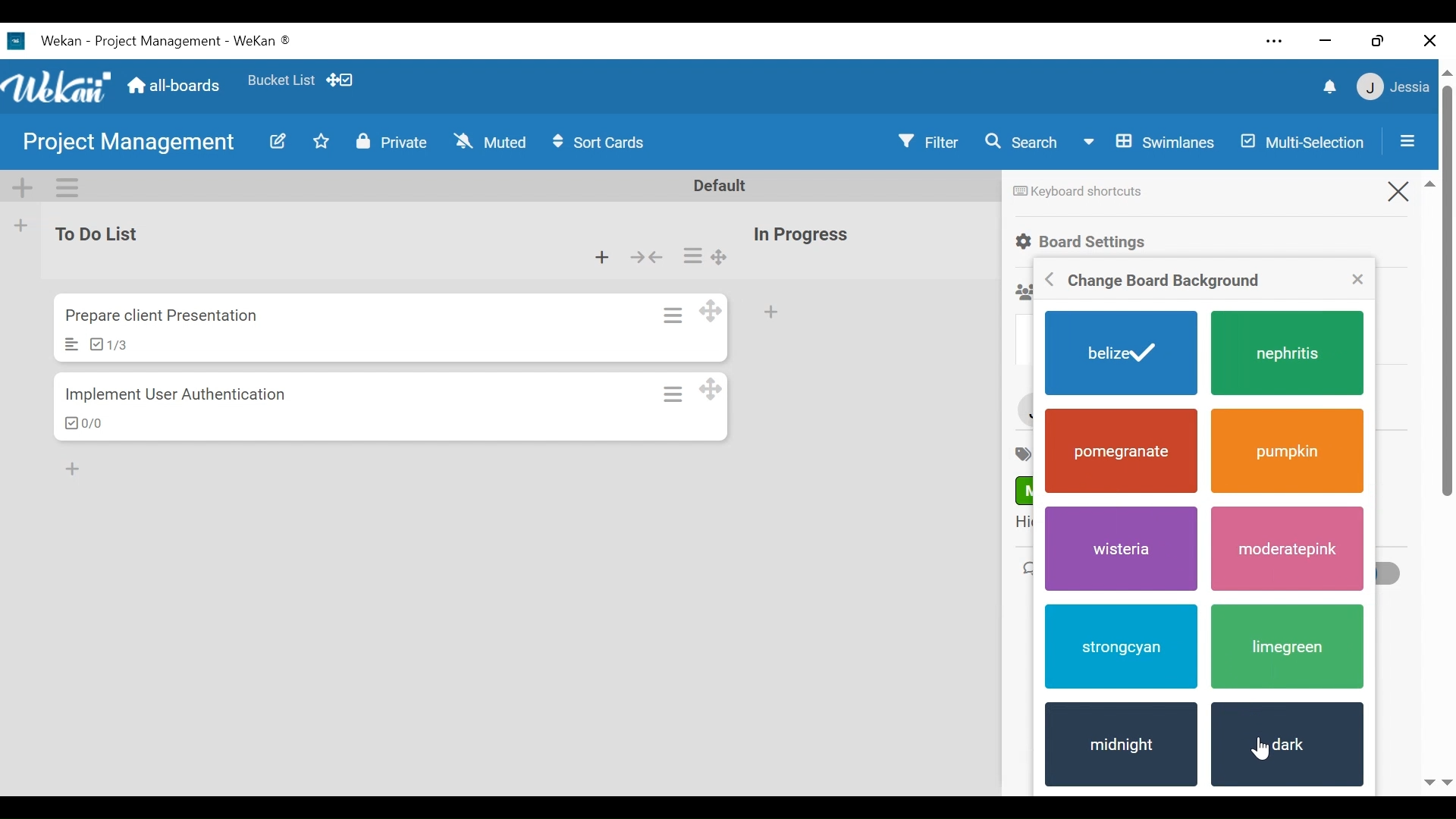  I want to click on Home (all-boards), so click(176, 86).